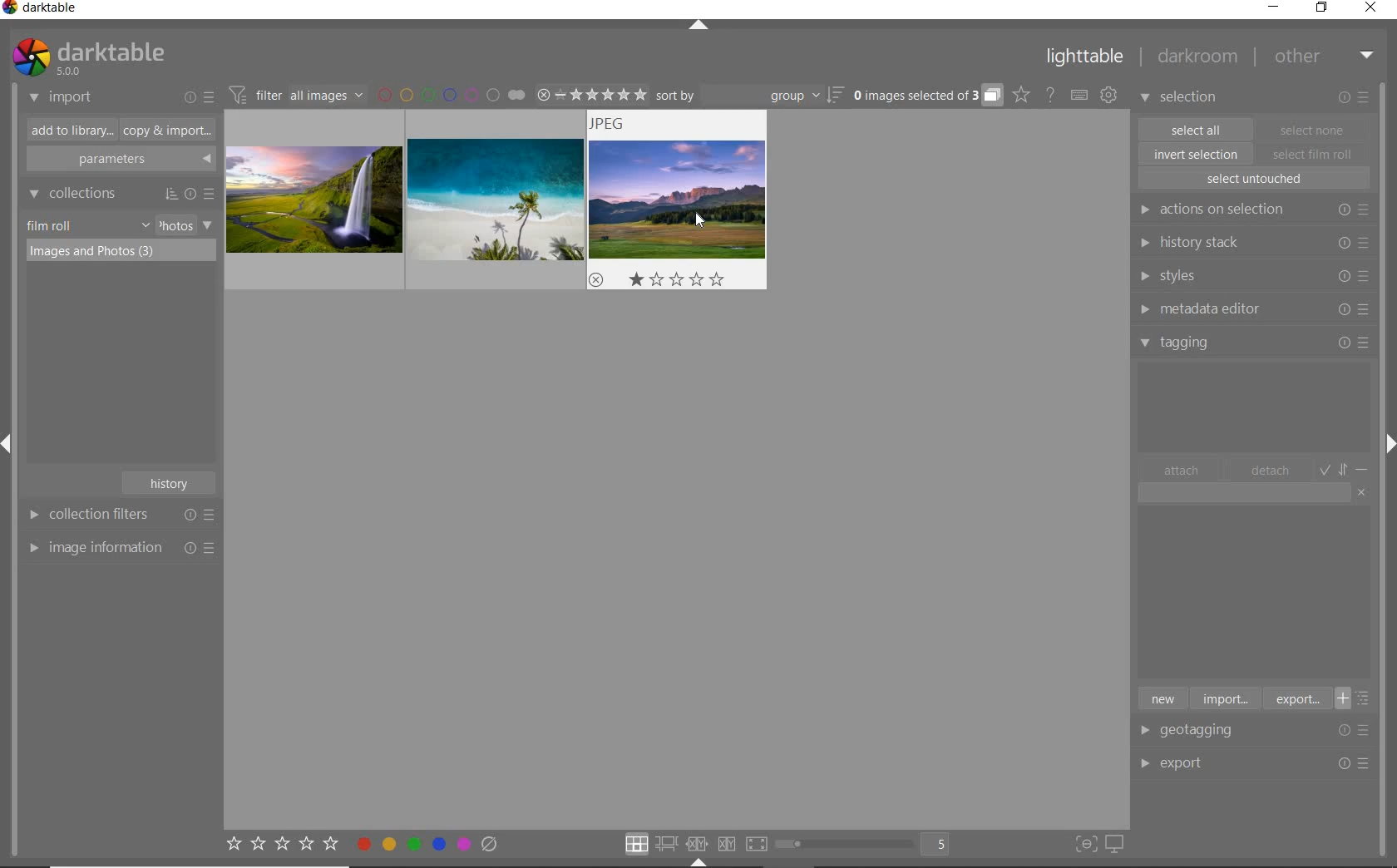 This screenshot has height=868, width=1397. I want to click on image information, so click(121, 547).